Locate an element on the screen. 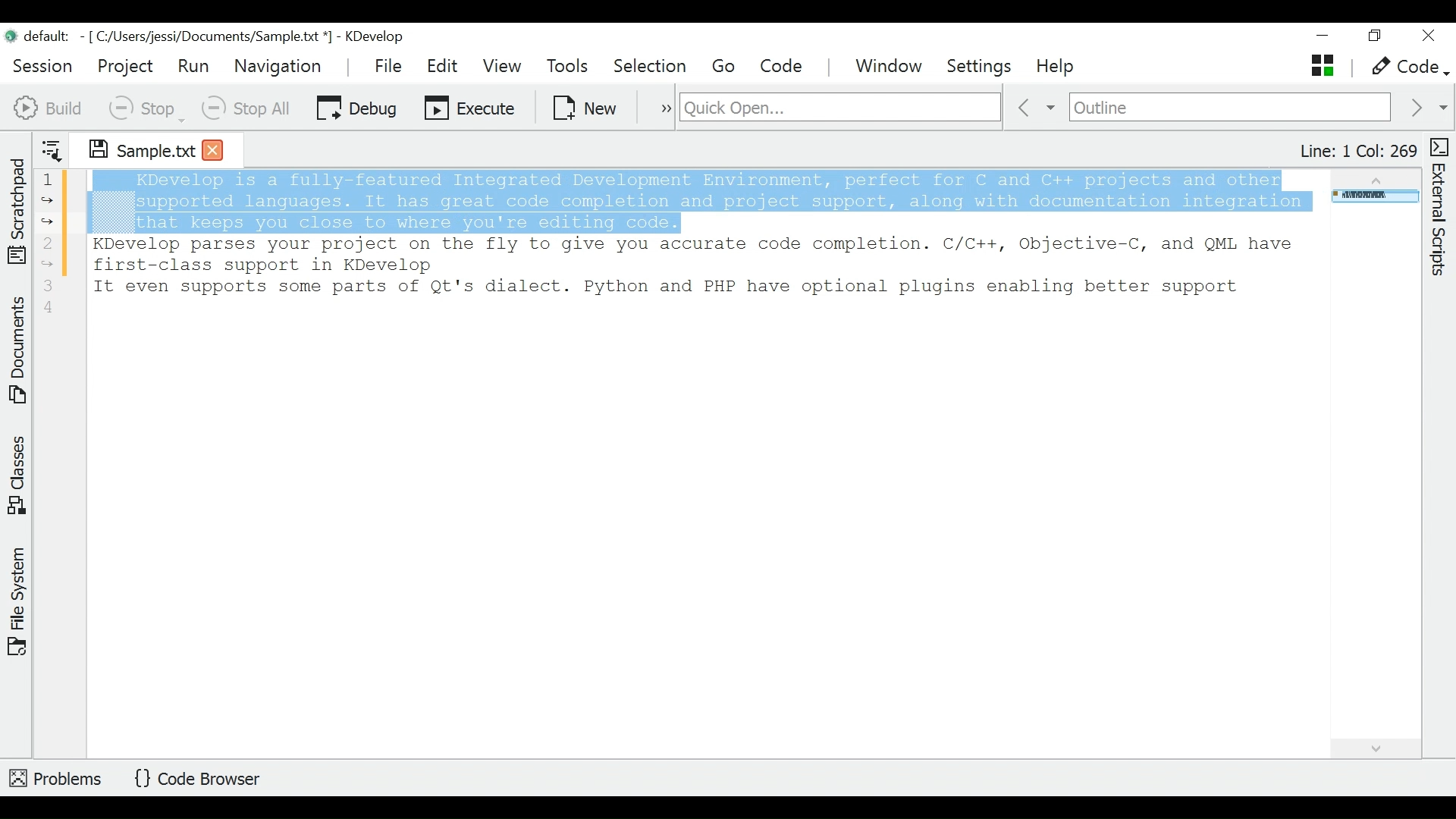  2 KDevelop parses your project on the fly to give you accurate code completion. C/C++, Objective-C, and QML have first-class support in KDevelop. 3 It even supports some parts of Qt's dialect. Python and PHP have optional plugins enabling better support is located at coordinates (691, 281).